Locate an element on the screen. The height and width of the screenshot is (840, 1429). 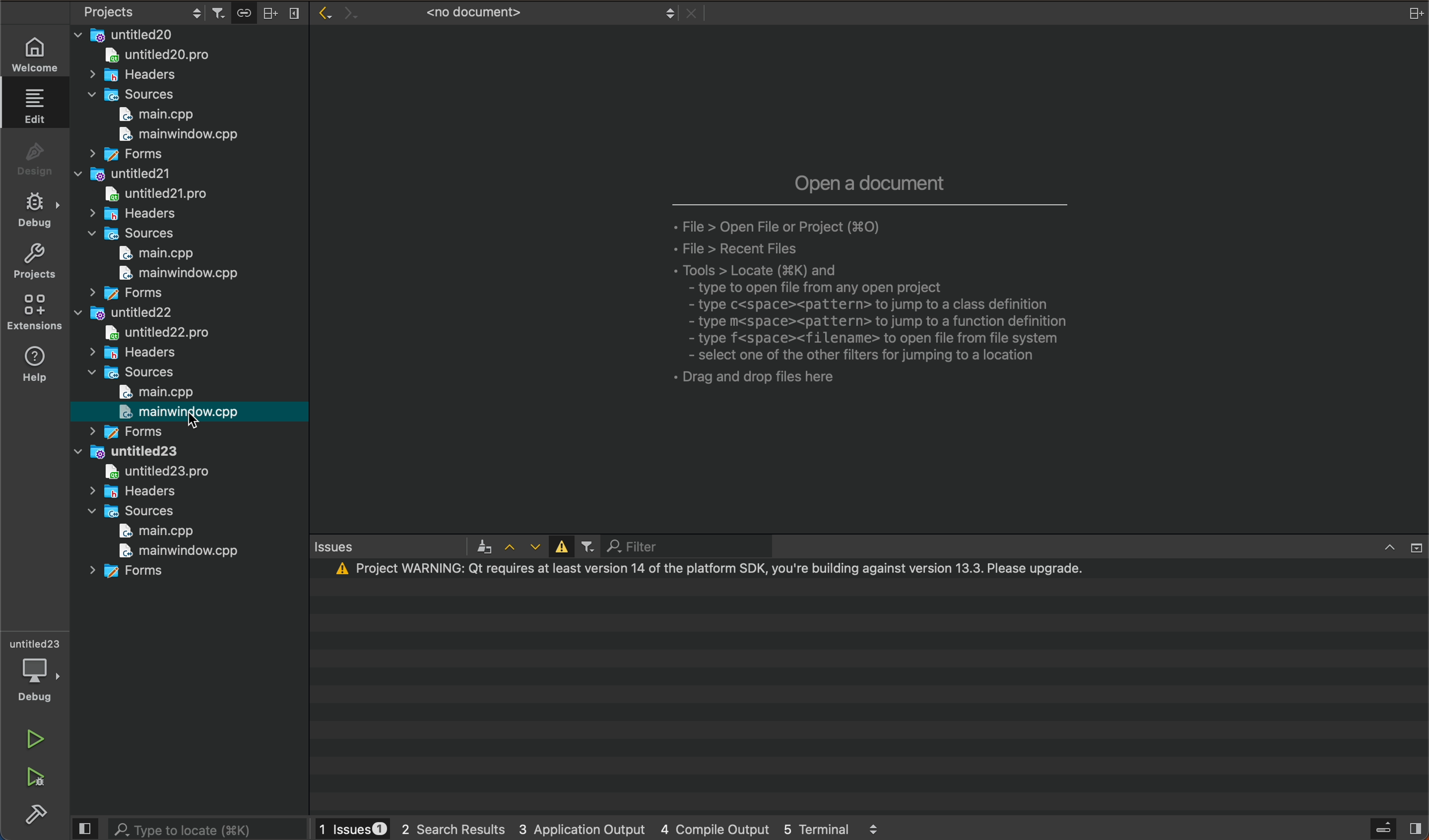
extensions is located at coordinates (35, 313).